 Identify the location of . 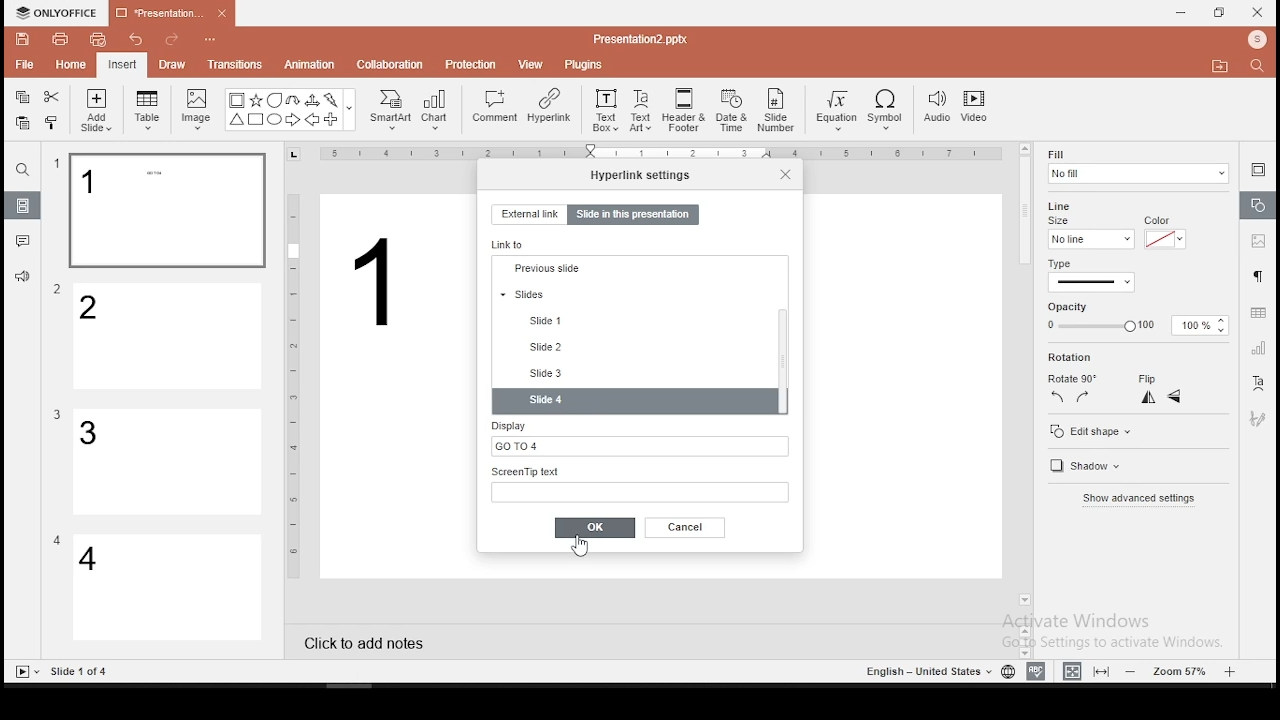
(926, 672).